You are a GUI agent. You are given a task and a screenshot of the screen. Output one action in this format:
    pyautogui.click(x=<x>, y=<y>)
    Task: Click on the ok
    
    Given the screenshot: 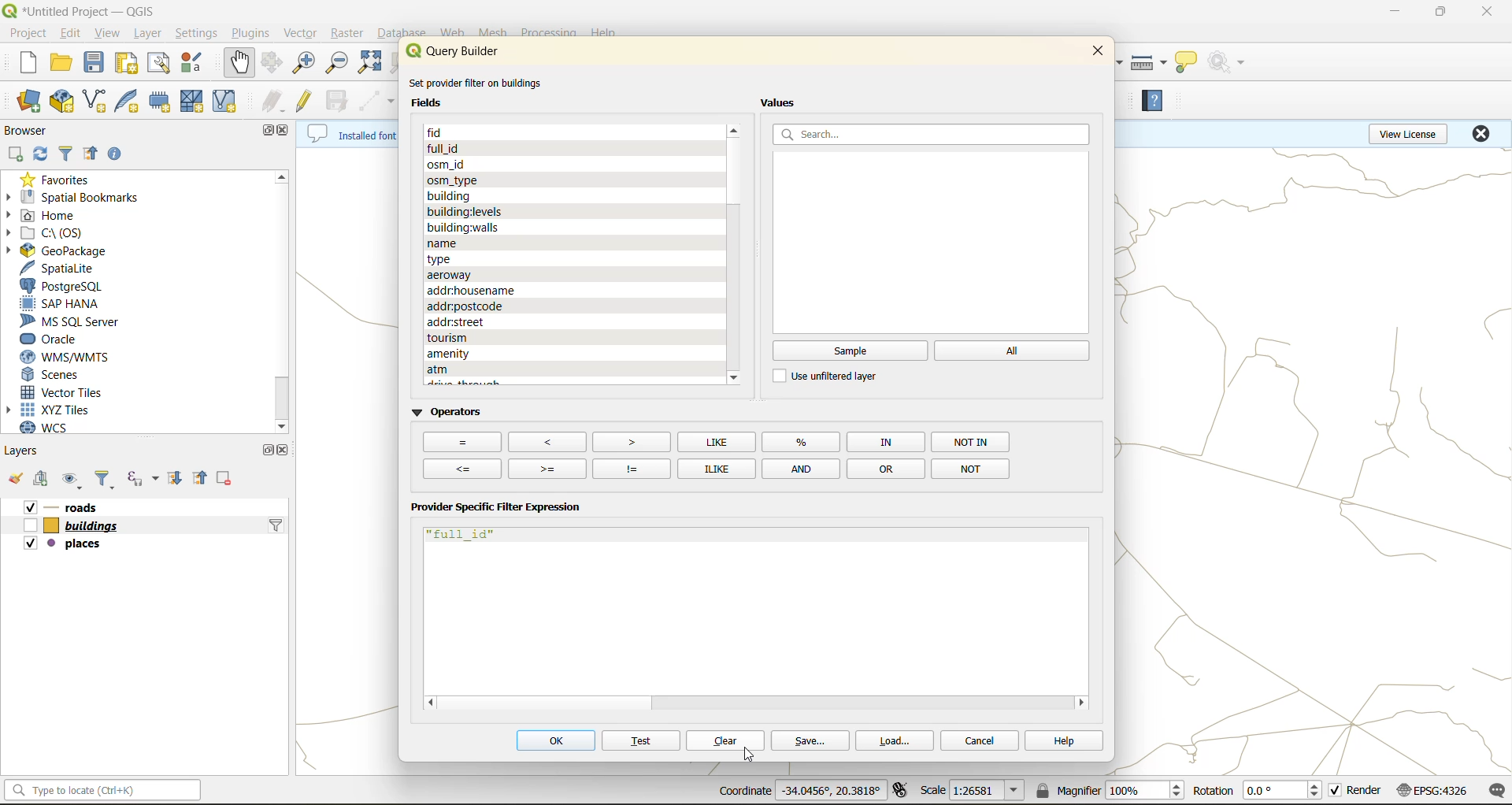 What is the action you would take?
    pyautogui.click(x=554, y=743)
    